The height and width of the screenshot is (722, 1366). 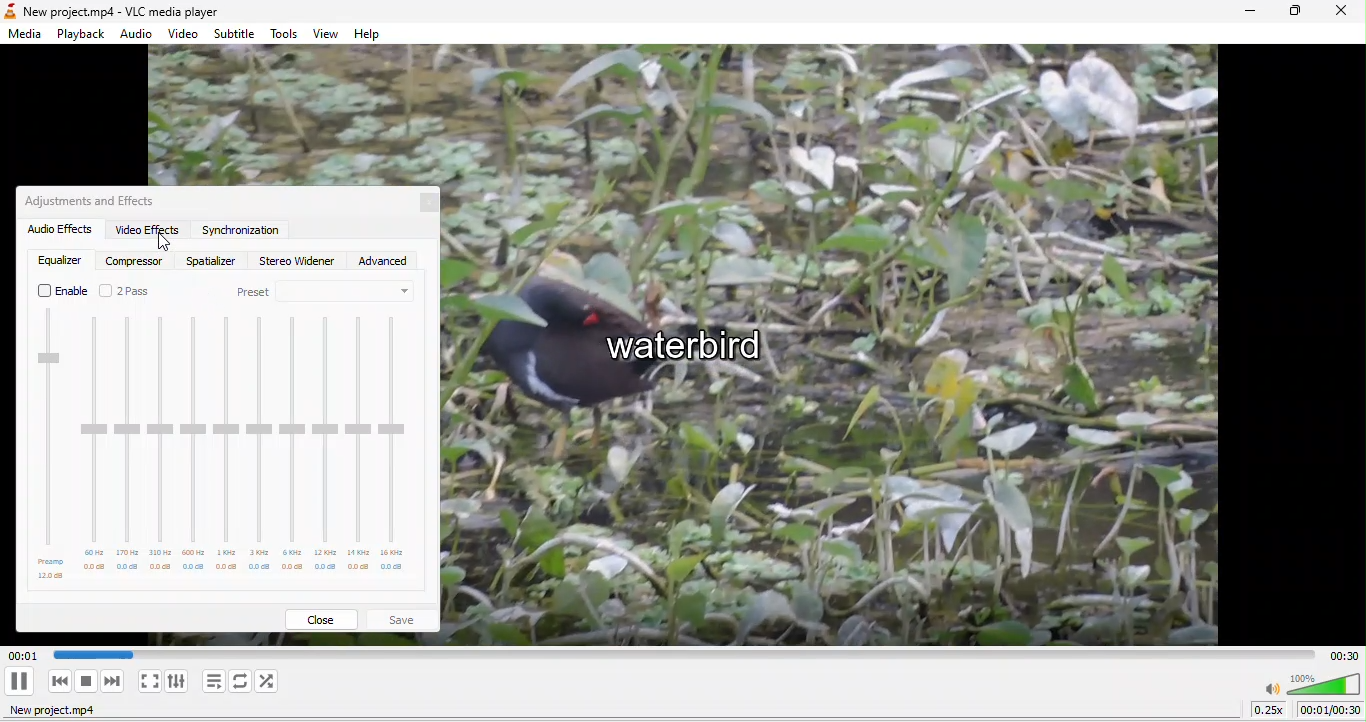 I want to click on Play duration, so click(x=676, y=651).